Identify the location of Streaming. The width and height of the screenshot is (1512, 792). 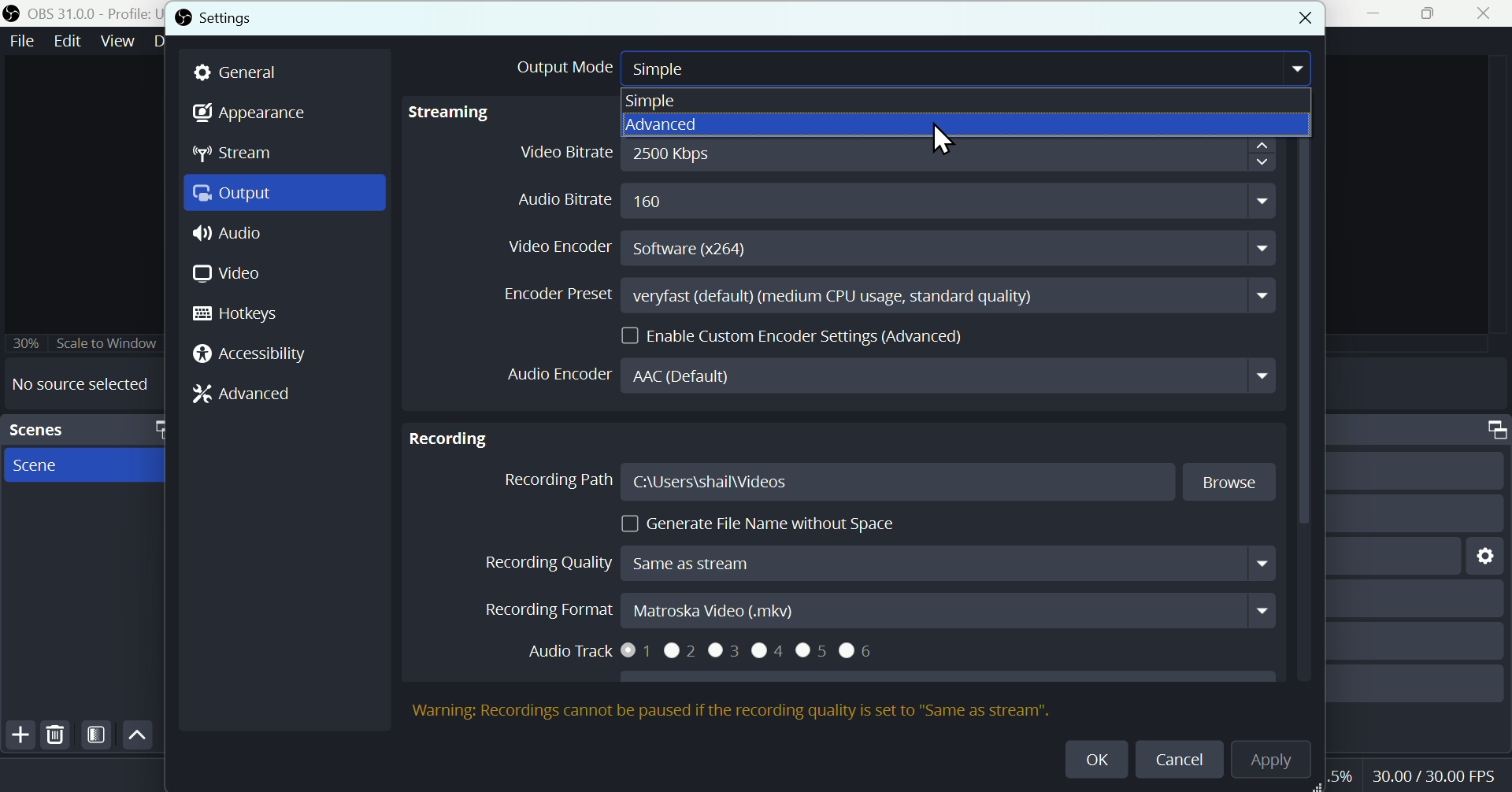
(498, 117).